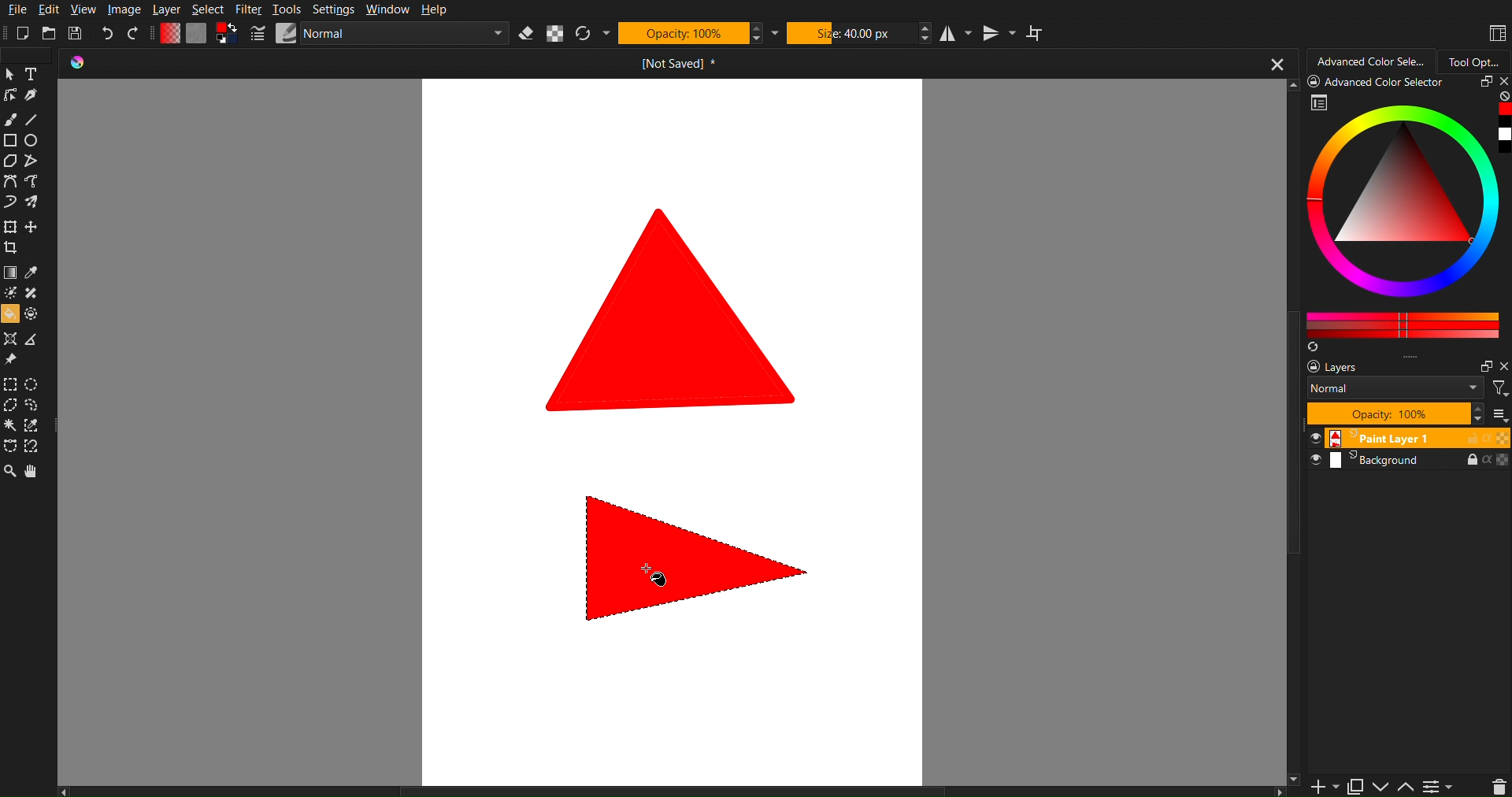 The width and height of the screenshot is (1512, 797). I want to click on Pen, so click(32, 97).